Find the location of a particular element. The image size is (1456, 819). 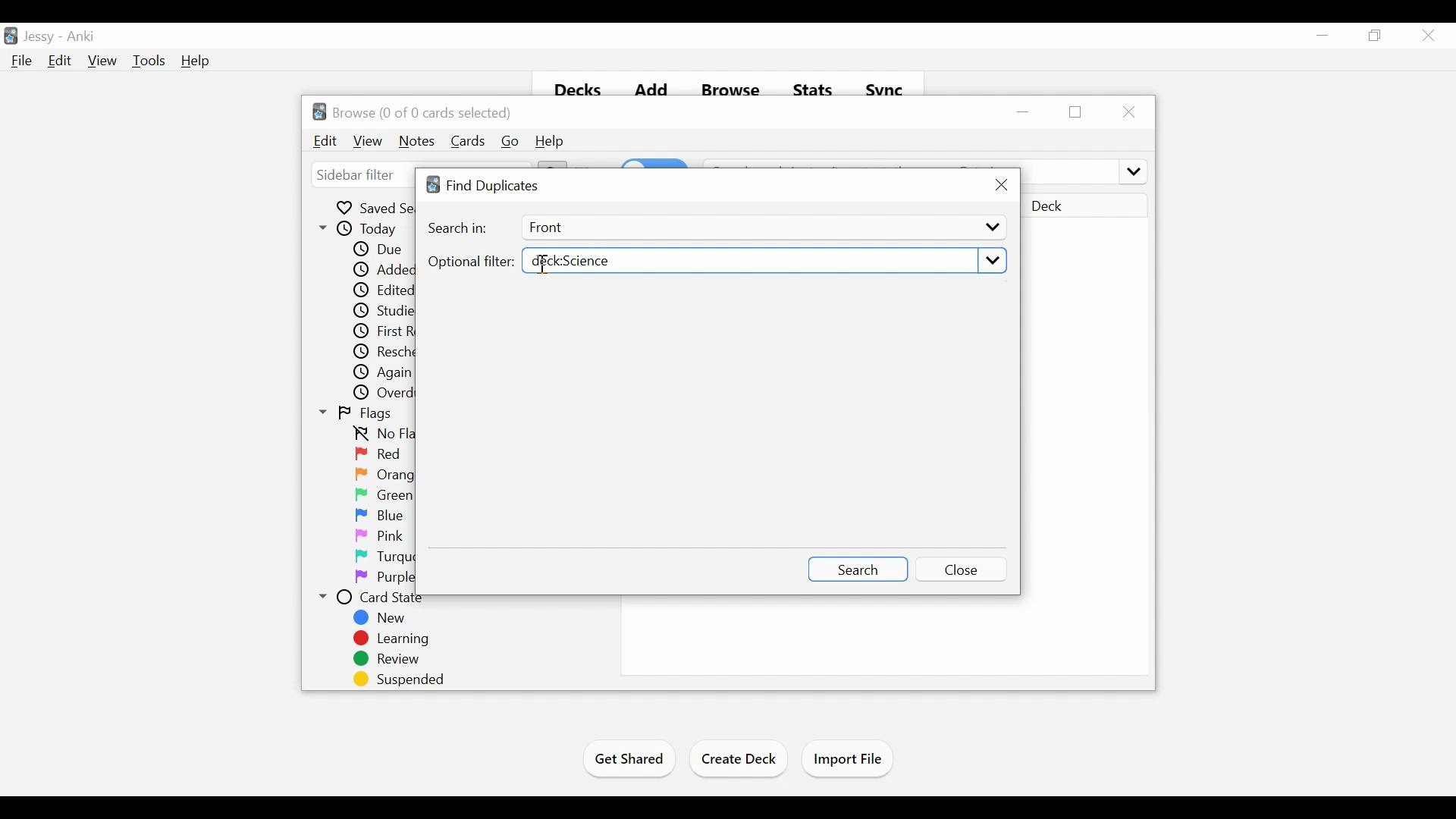

Restore is located at coordinates (1077, 112).